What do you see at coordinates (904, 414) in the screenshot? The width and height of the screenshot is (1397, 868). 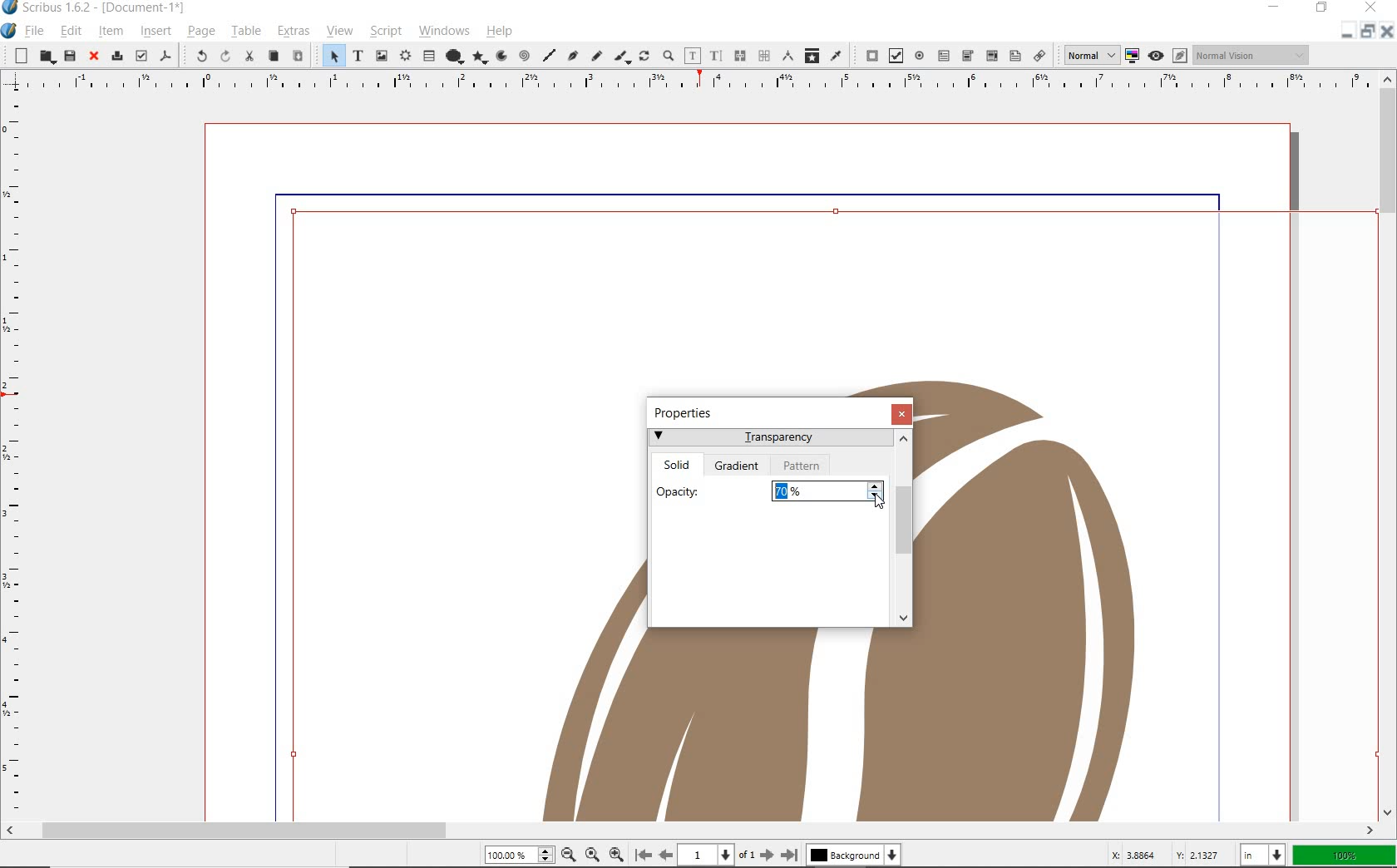 I see `close` at bounding box center [904, 414].